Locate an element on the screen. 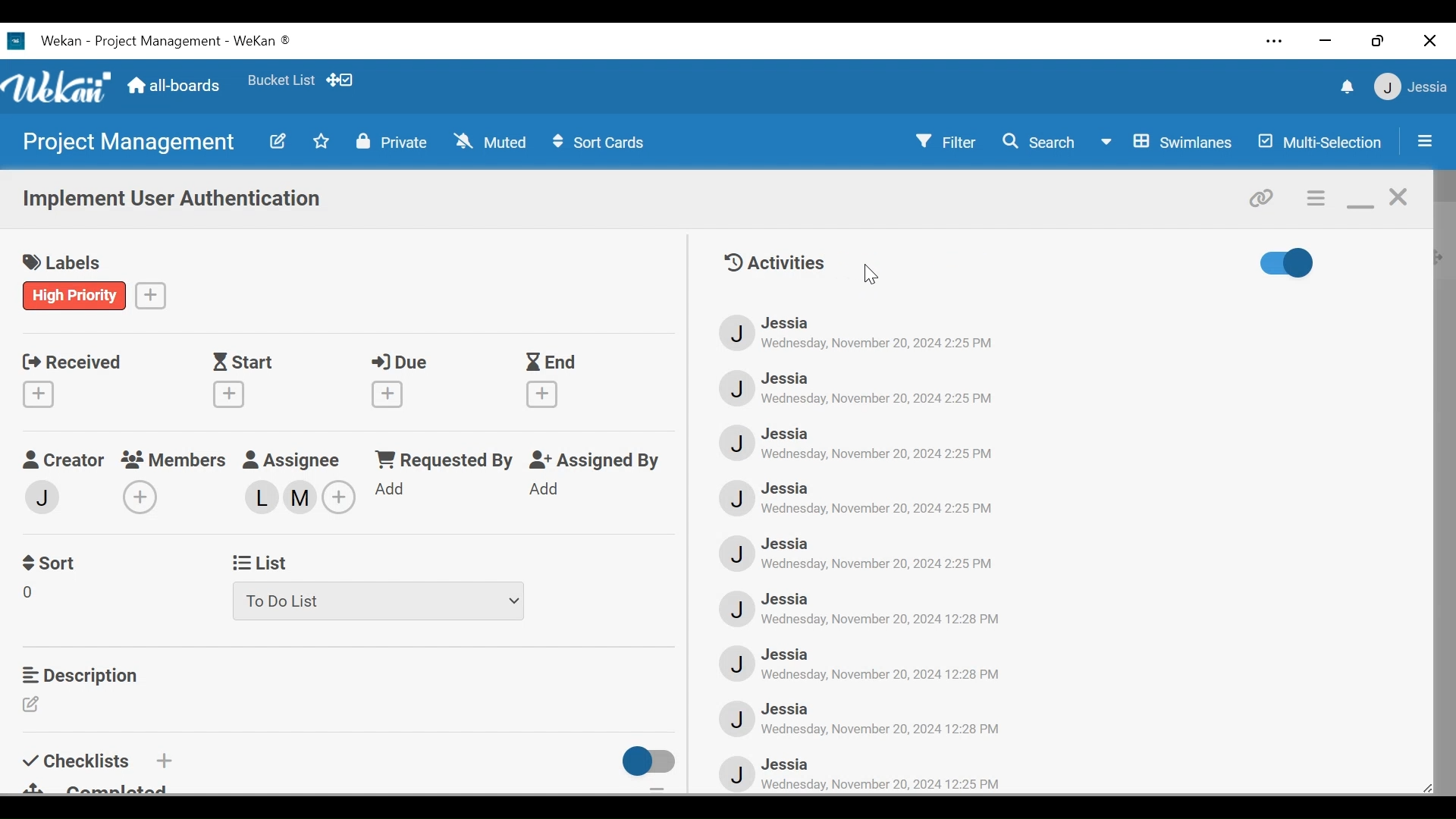  Create Due Date is located at coordinates (386, 395).